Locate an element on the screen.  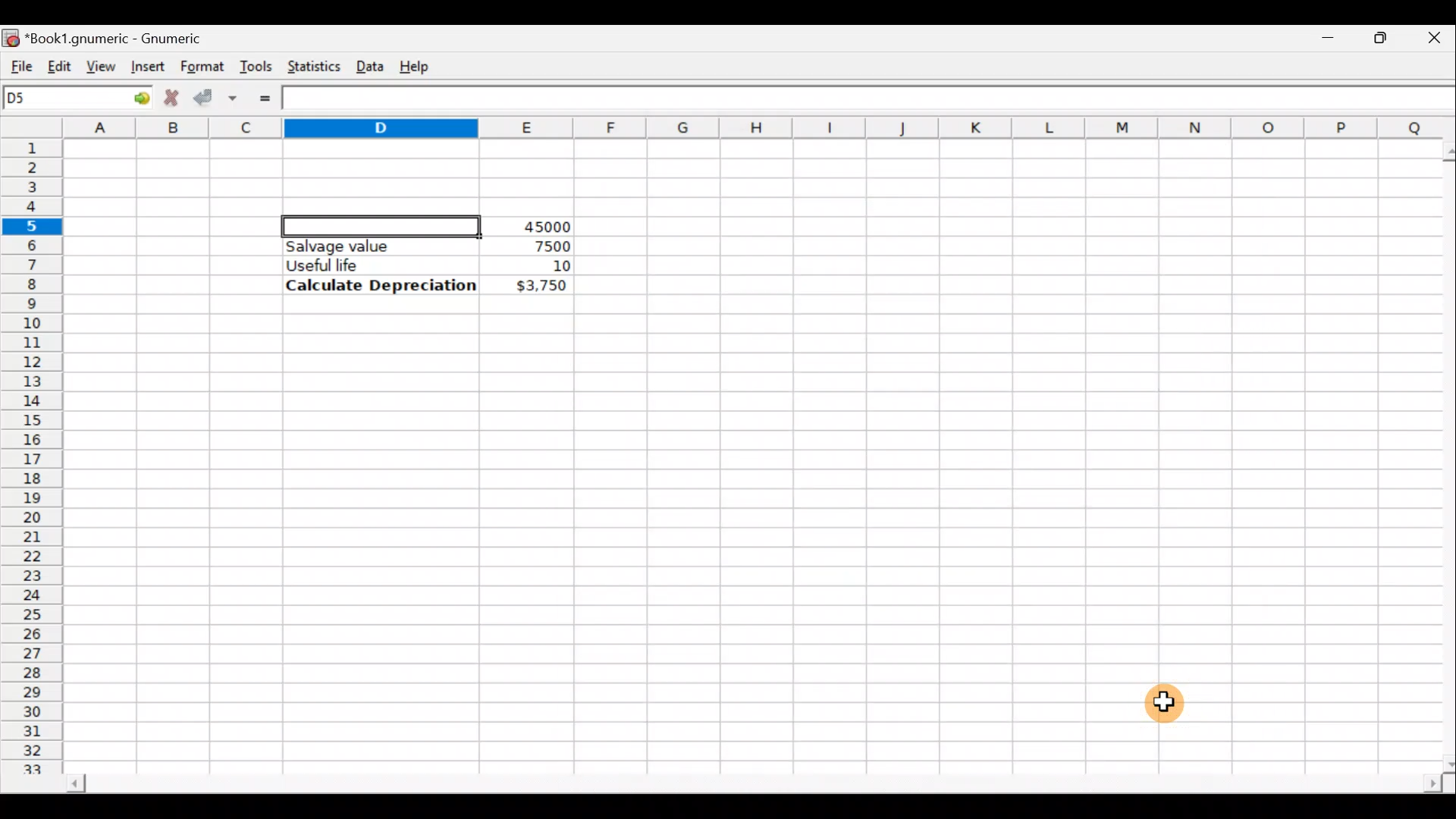
10 is located at coordinates (543, 266).